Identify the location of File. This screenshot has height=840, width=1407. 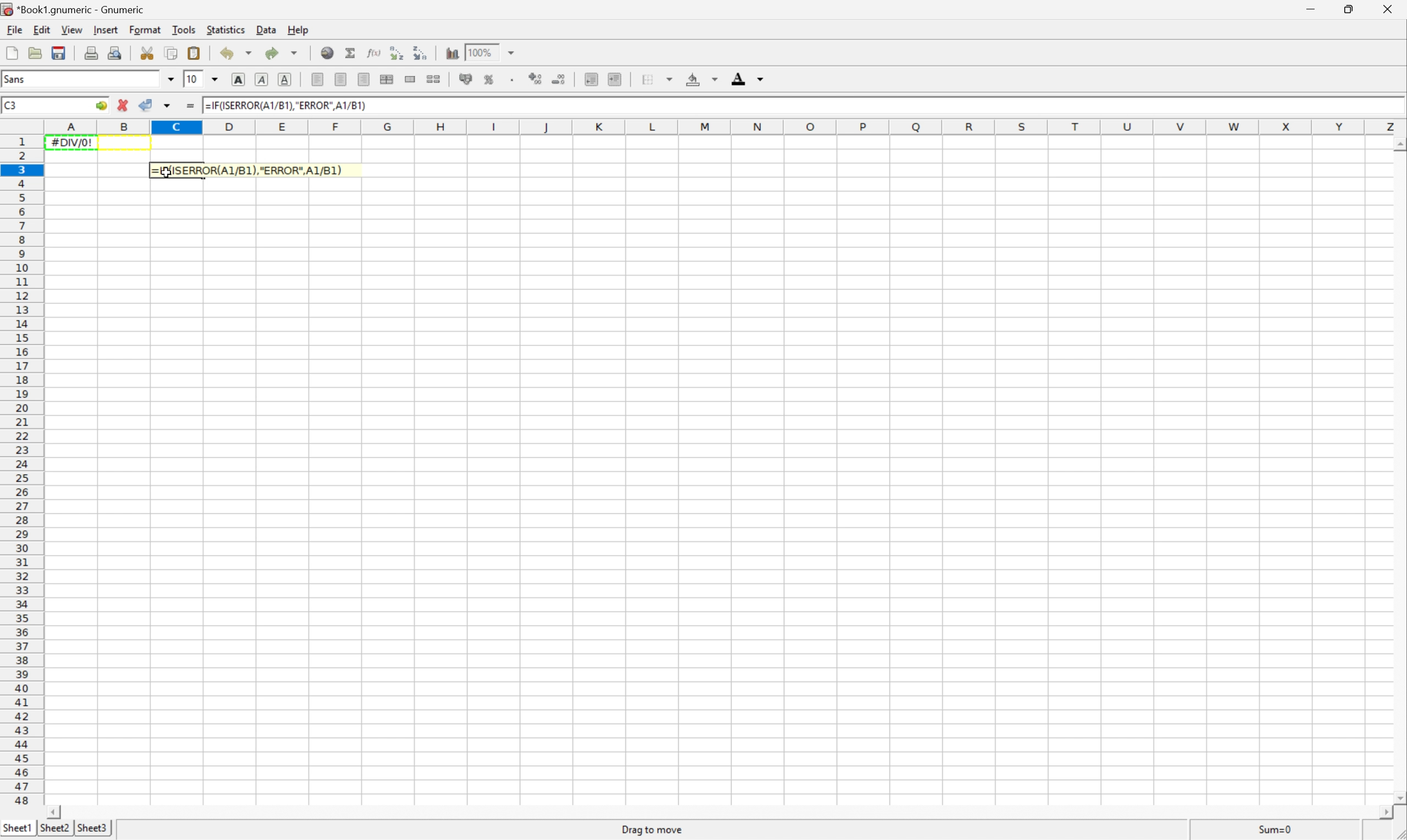
(15, 30).